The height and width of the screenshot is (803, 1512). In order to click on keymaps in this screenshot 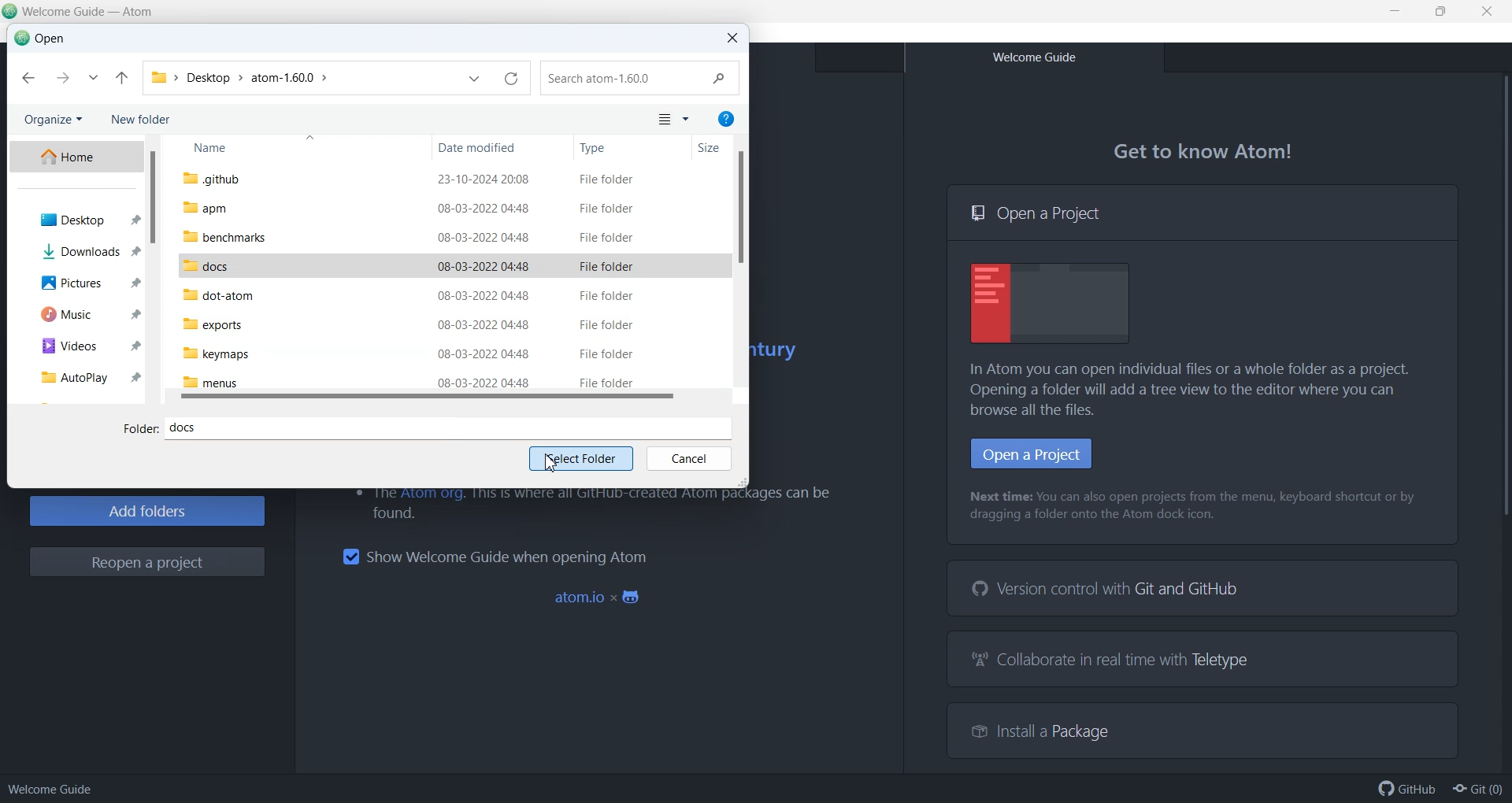, I will do `click(215, 353)`.